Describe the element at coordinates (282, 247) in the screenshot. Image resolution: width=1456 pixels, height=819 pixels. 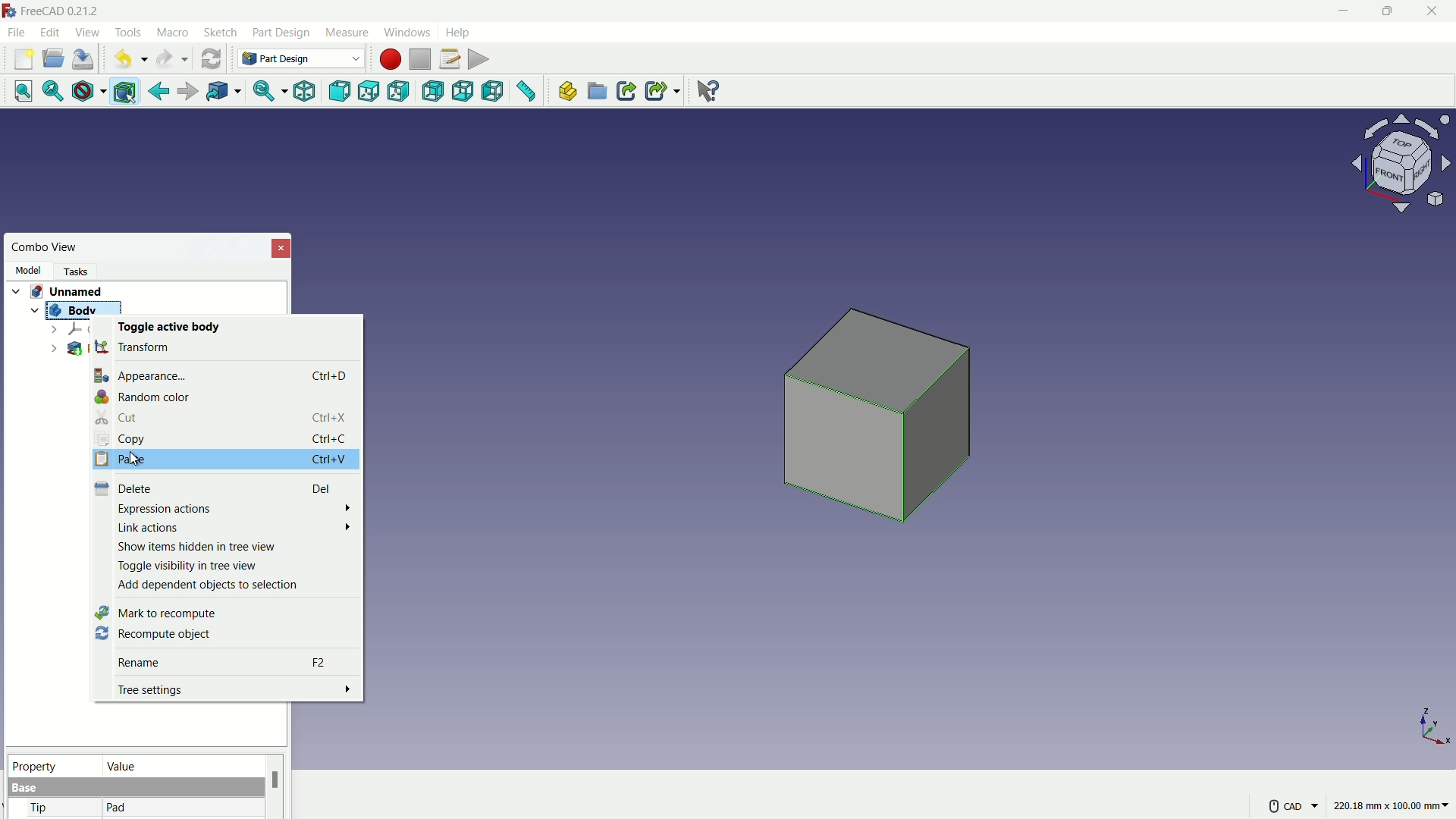
I see `close` at that location.